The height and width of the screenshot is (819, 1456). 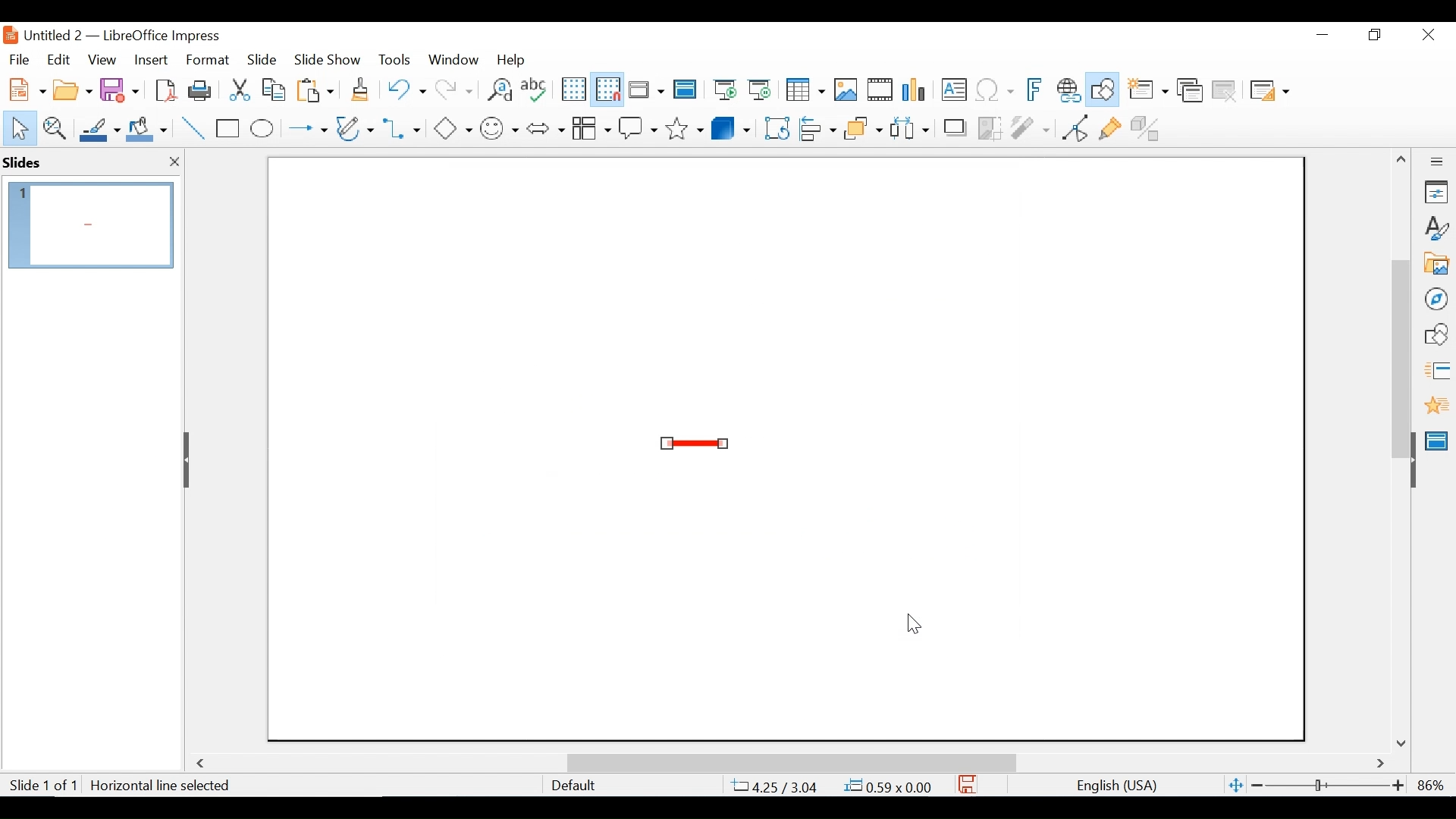 What do you see at coordinates (790, 762) in the screenshot?
I see `Horizontal Scrollbar` at bounding box center [790, 762].